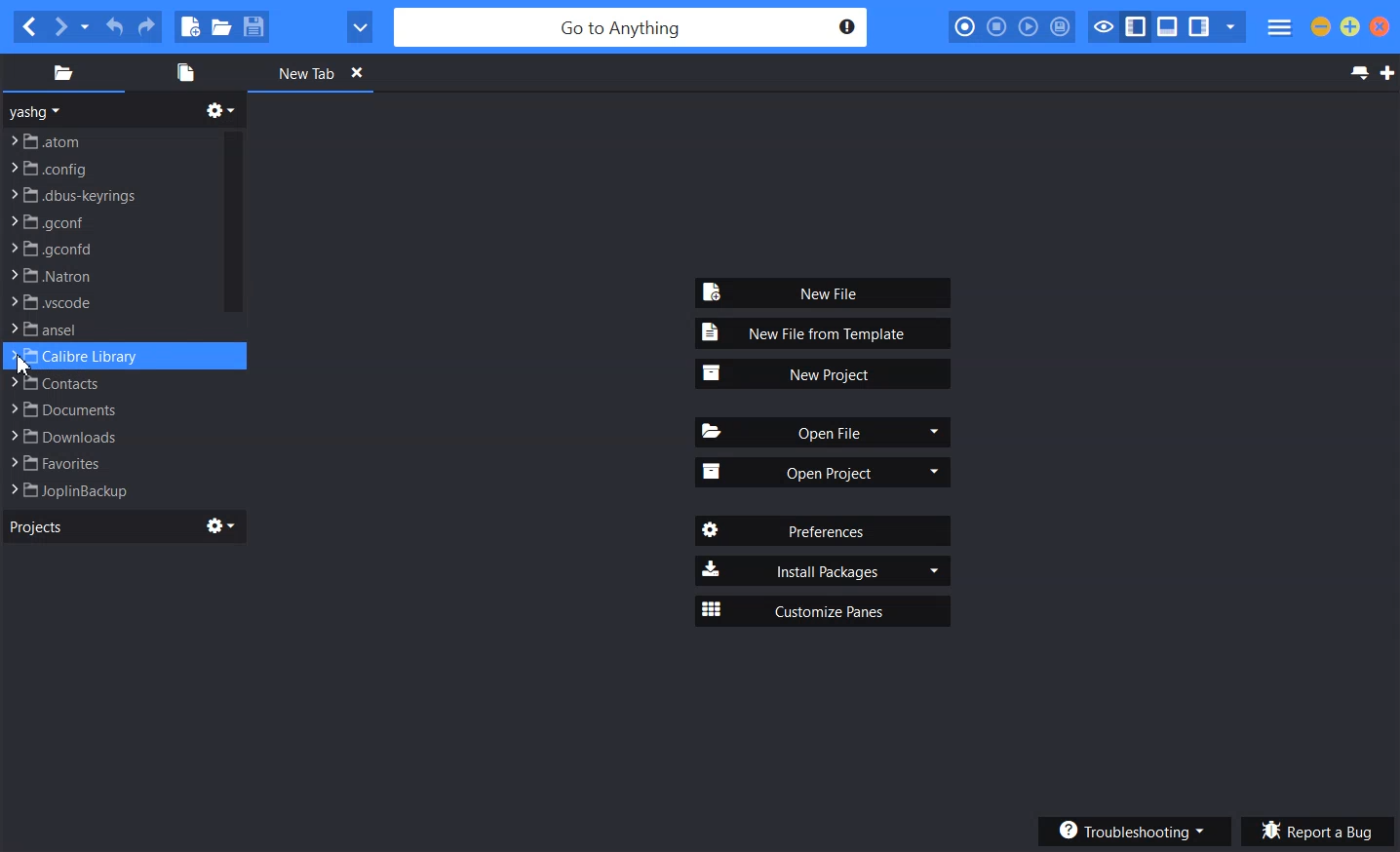  I want to click on File, so click(108, 248).